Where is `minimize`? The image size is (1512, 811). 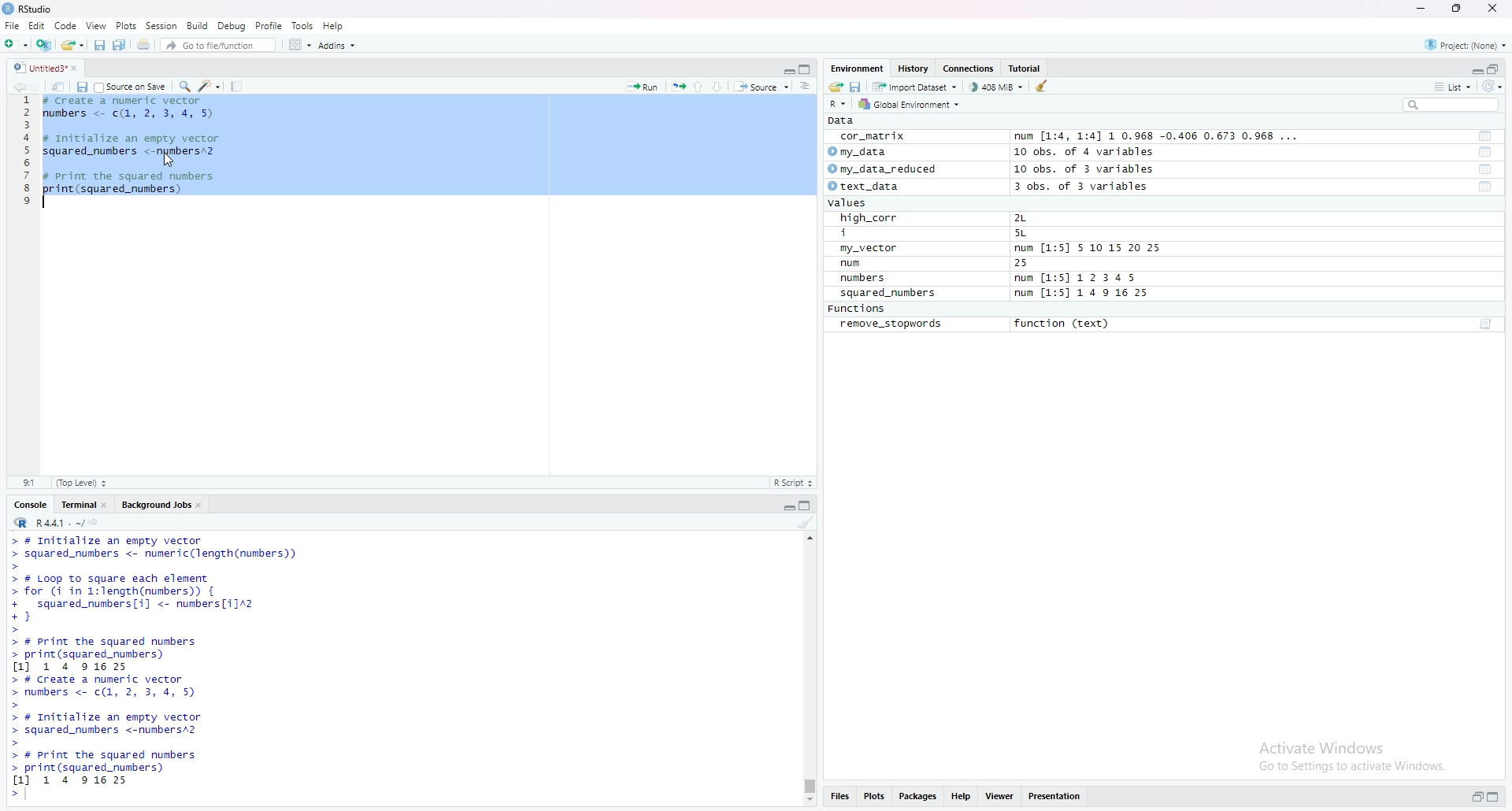
minimize is located at coordinates (1420, 9).